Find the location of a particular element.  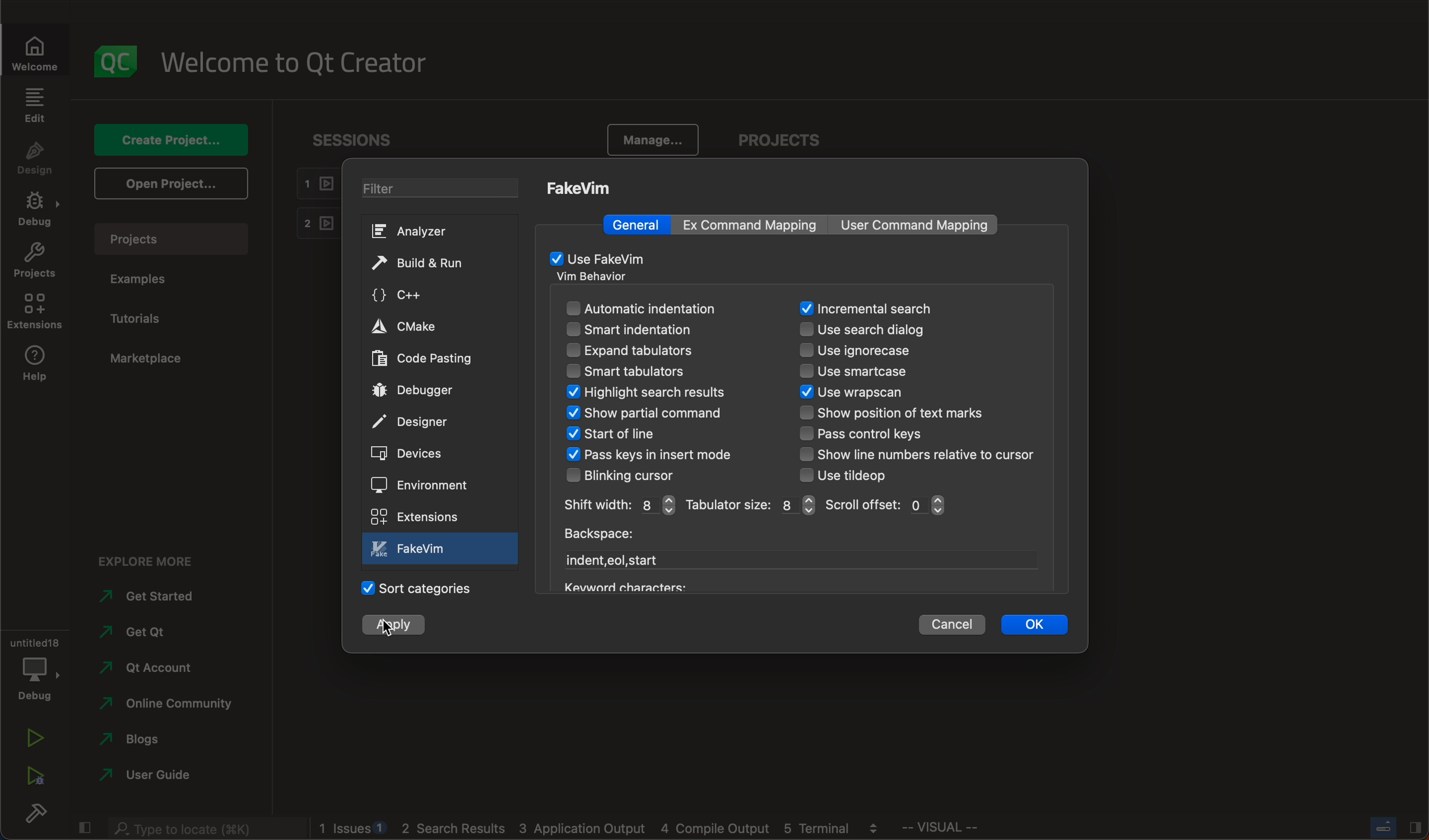

help is located at coordinates (37, 367).